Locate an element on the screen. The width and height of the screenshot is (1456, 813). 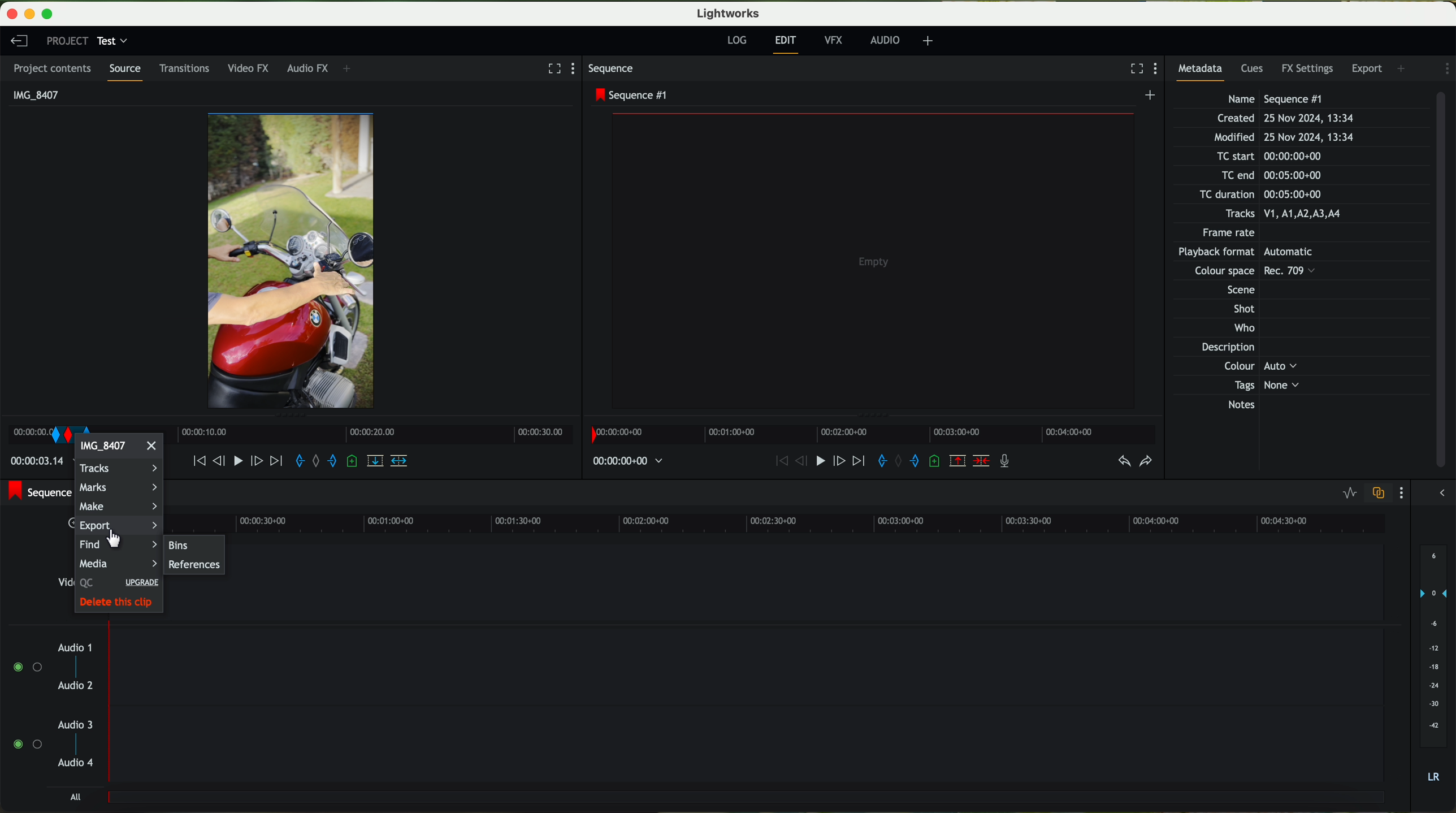
references is located at coordinates (194, 565).